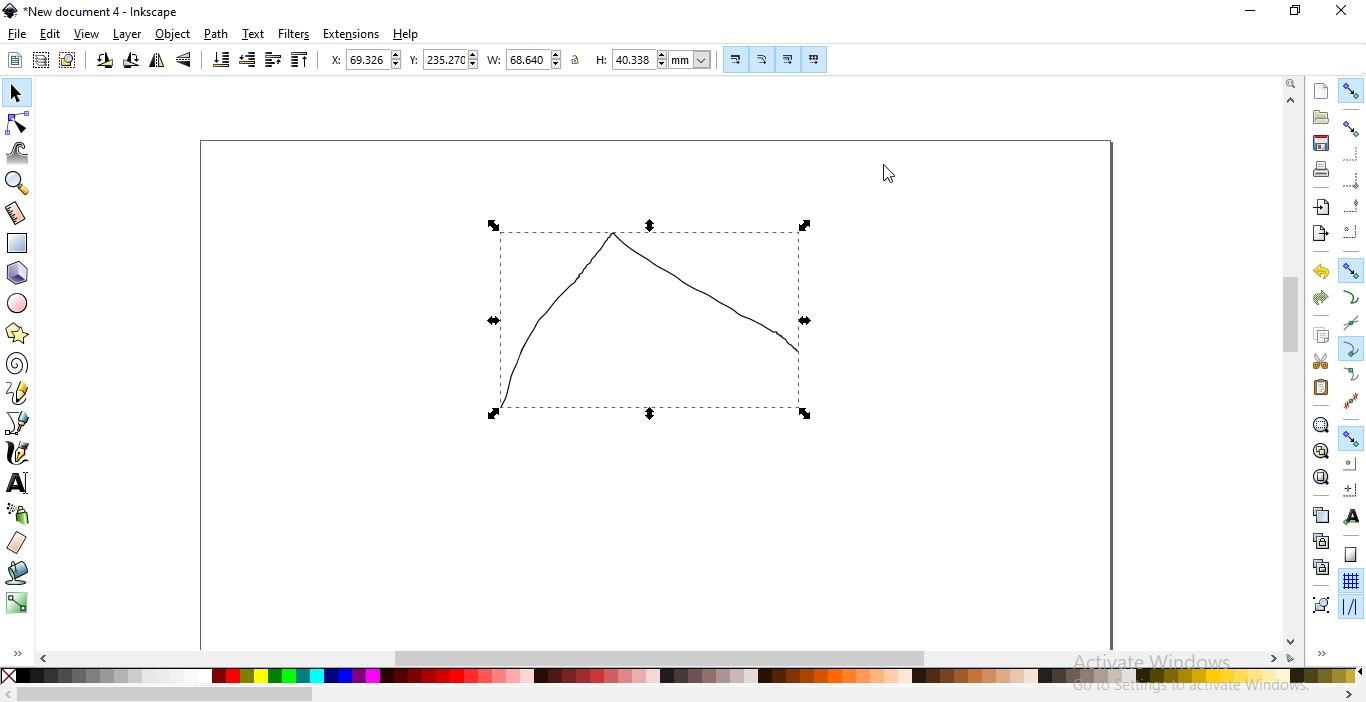 The width and height of the screenshot is (1366, 702). What do you see at coordinates (272, 60) in the screenshot?
I see `raise selection one step` at bounding box center [272, 60].